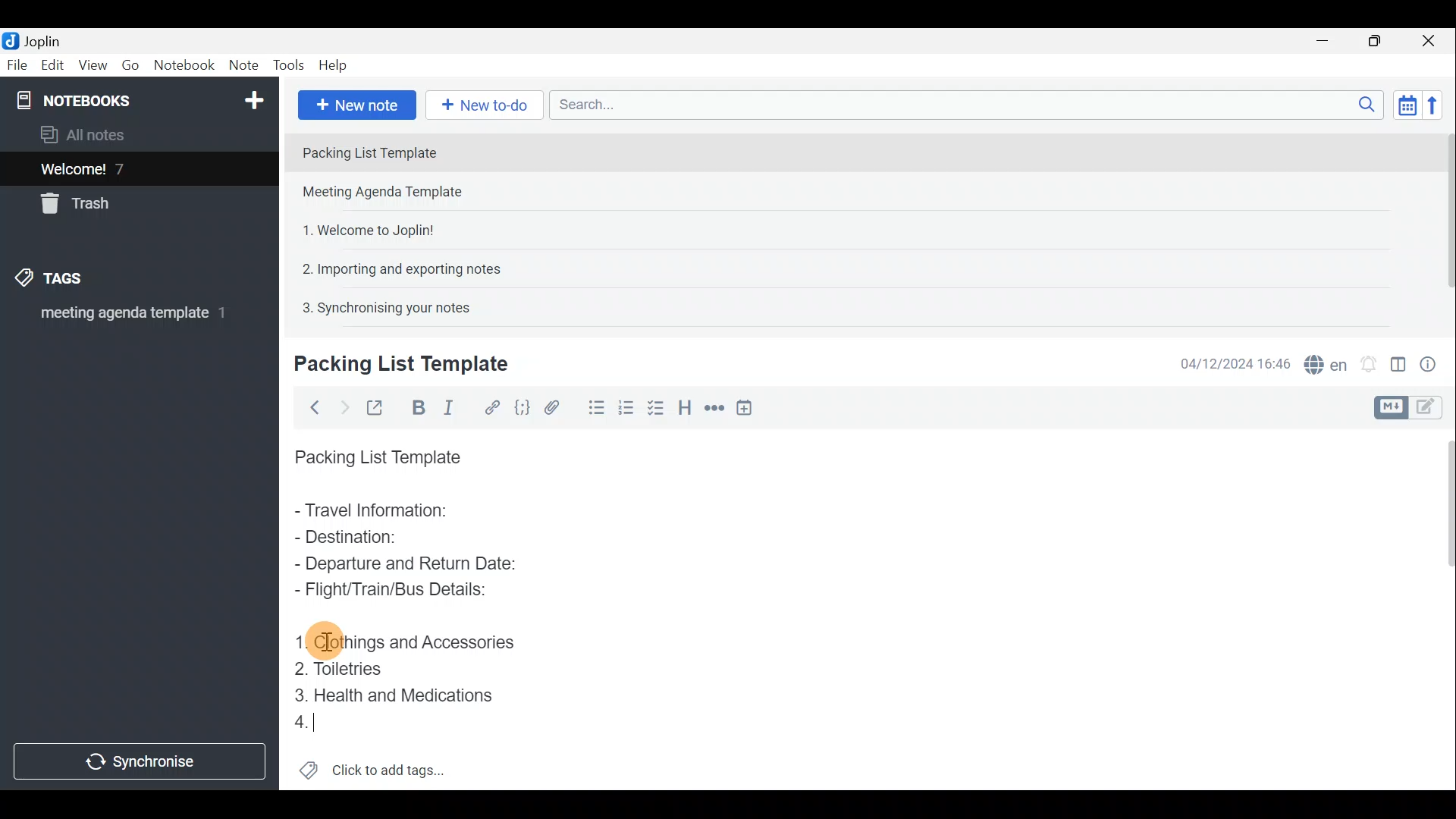 This screenshot has height=819, width=1456. I want to click on Go, so click(131, 65).